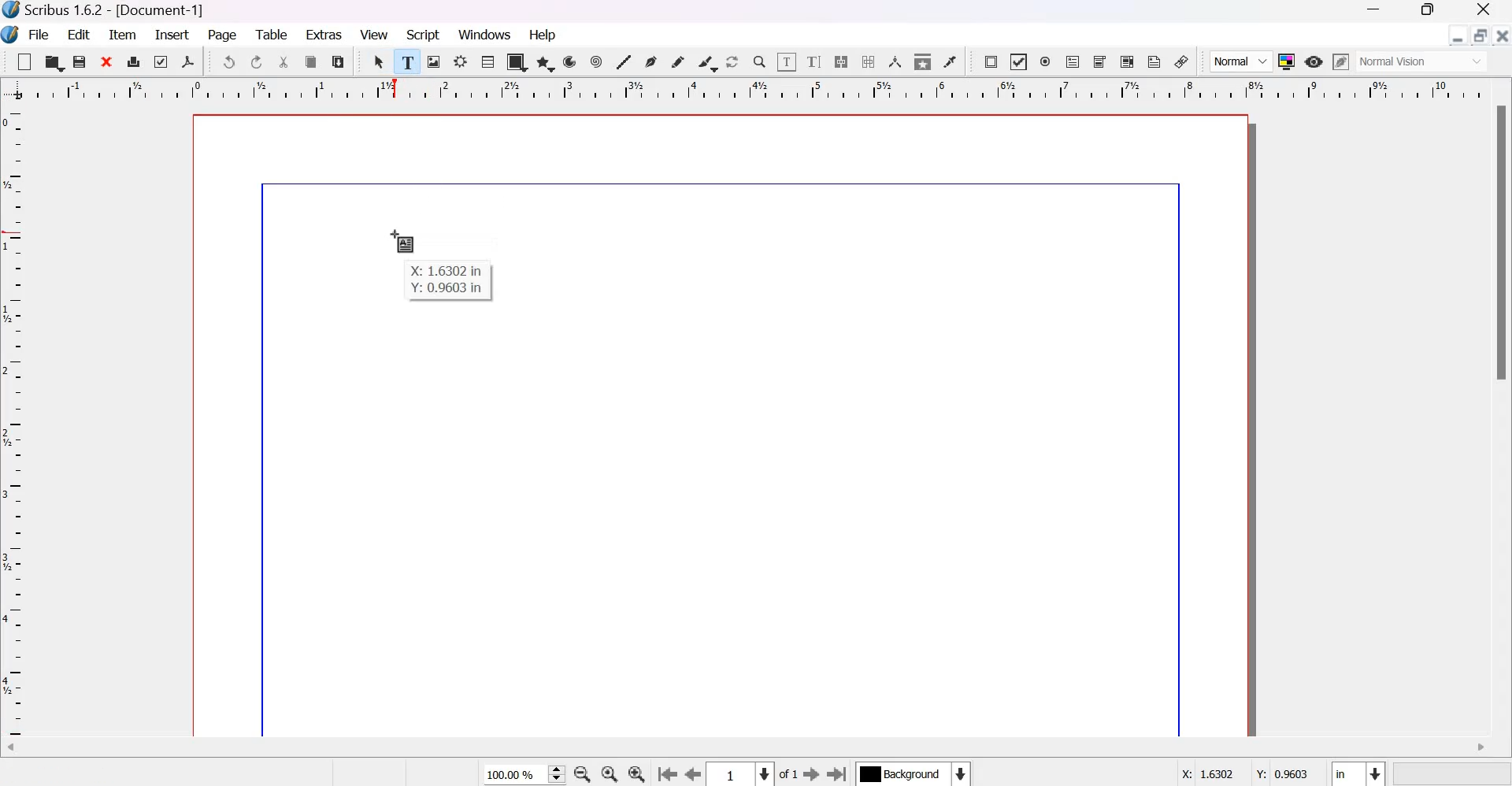 This screenshot has width=1512, height=786. Describe the element at coordinates (380, 61) in the screenshot. I see `select item` at that location.